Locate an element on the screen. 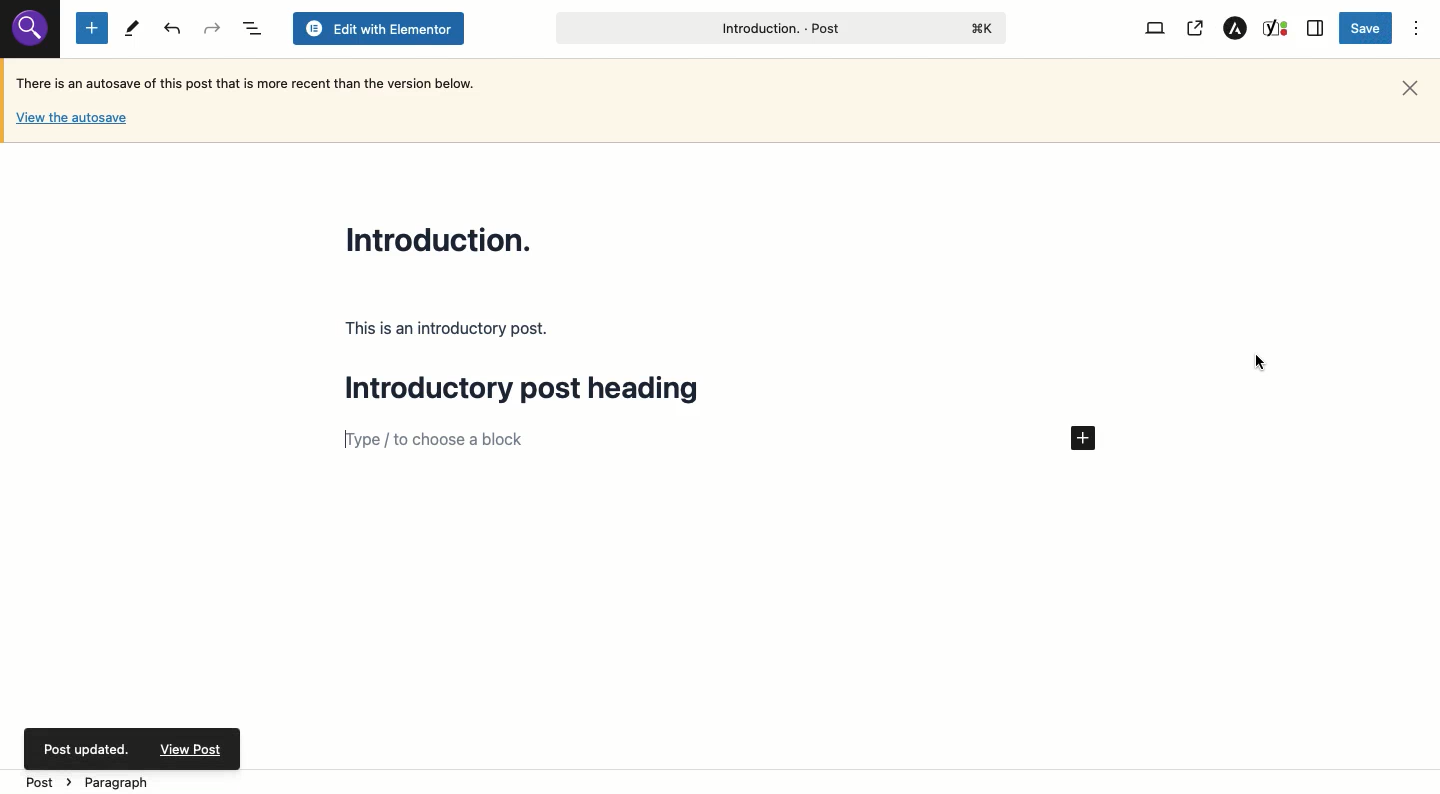 This screenshot has width=1440, height=794. Another block is located at coordinates (690, 440).